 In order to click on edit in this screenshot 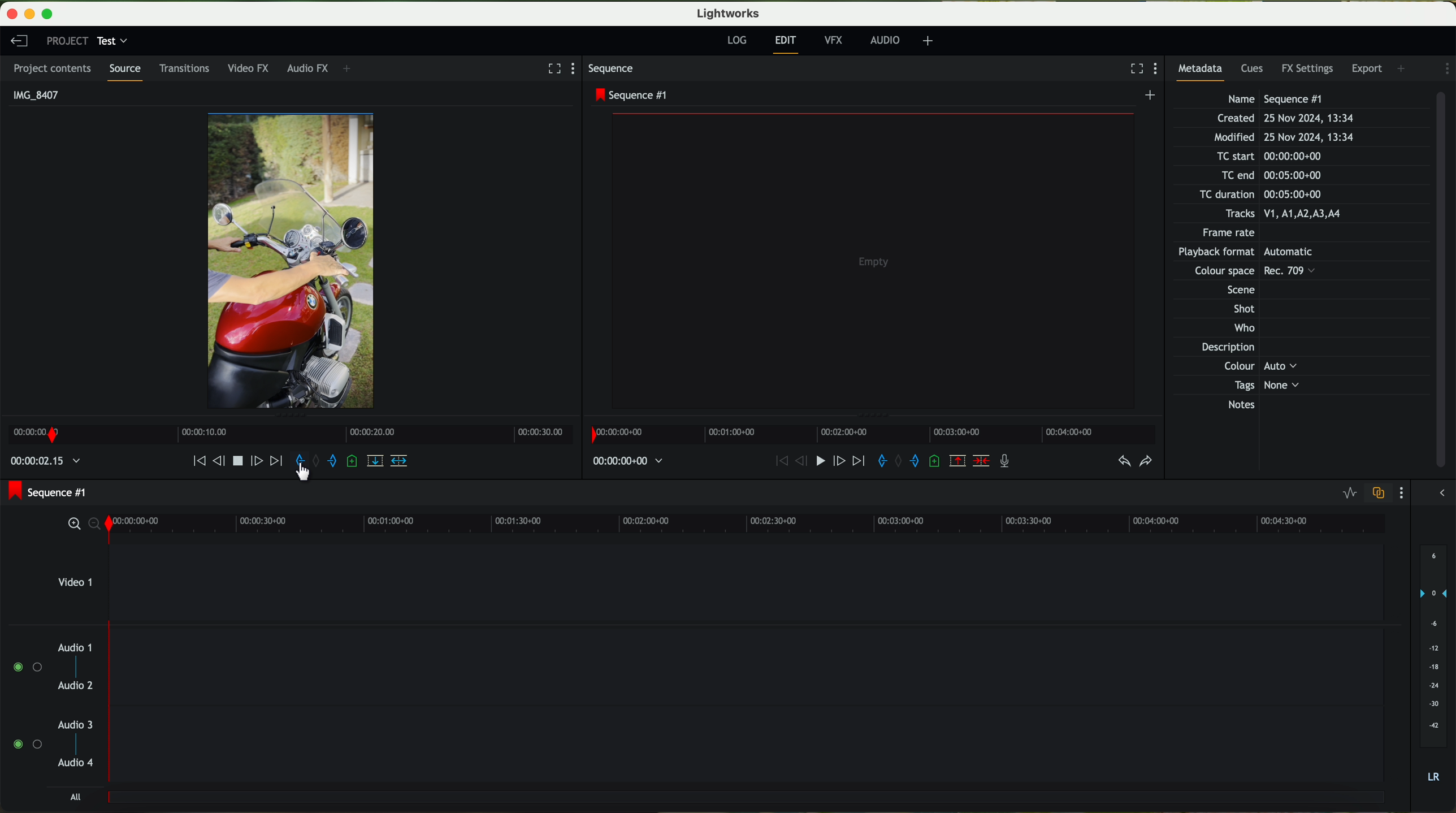, I will do `click(787, 44)`.